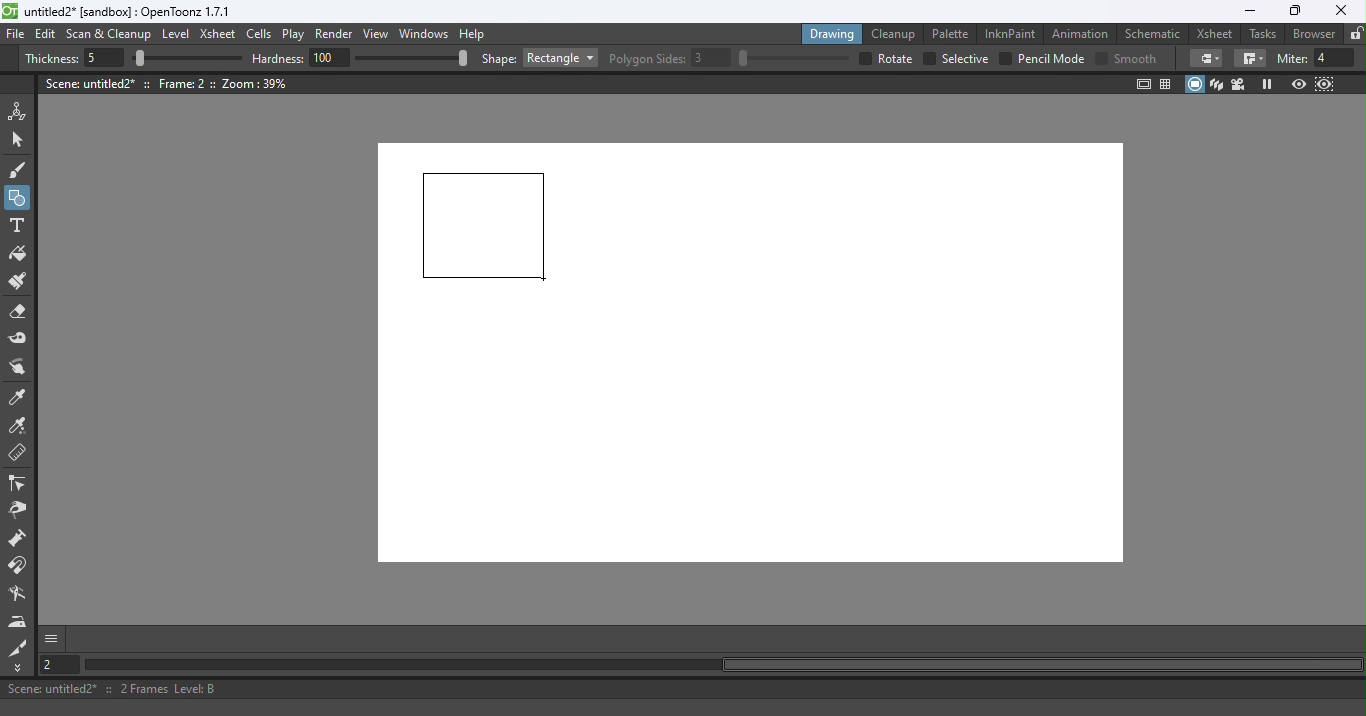 This screenshot has width=1366, height=716. What do you see at coordinates (19, 668) in the screenshot?
I see `More Tools` at bounding box center [19, 668].